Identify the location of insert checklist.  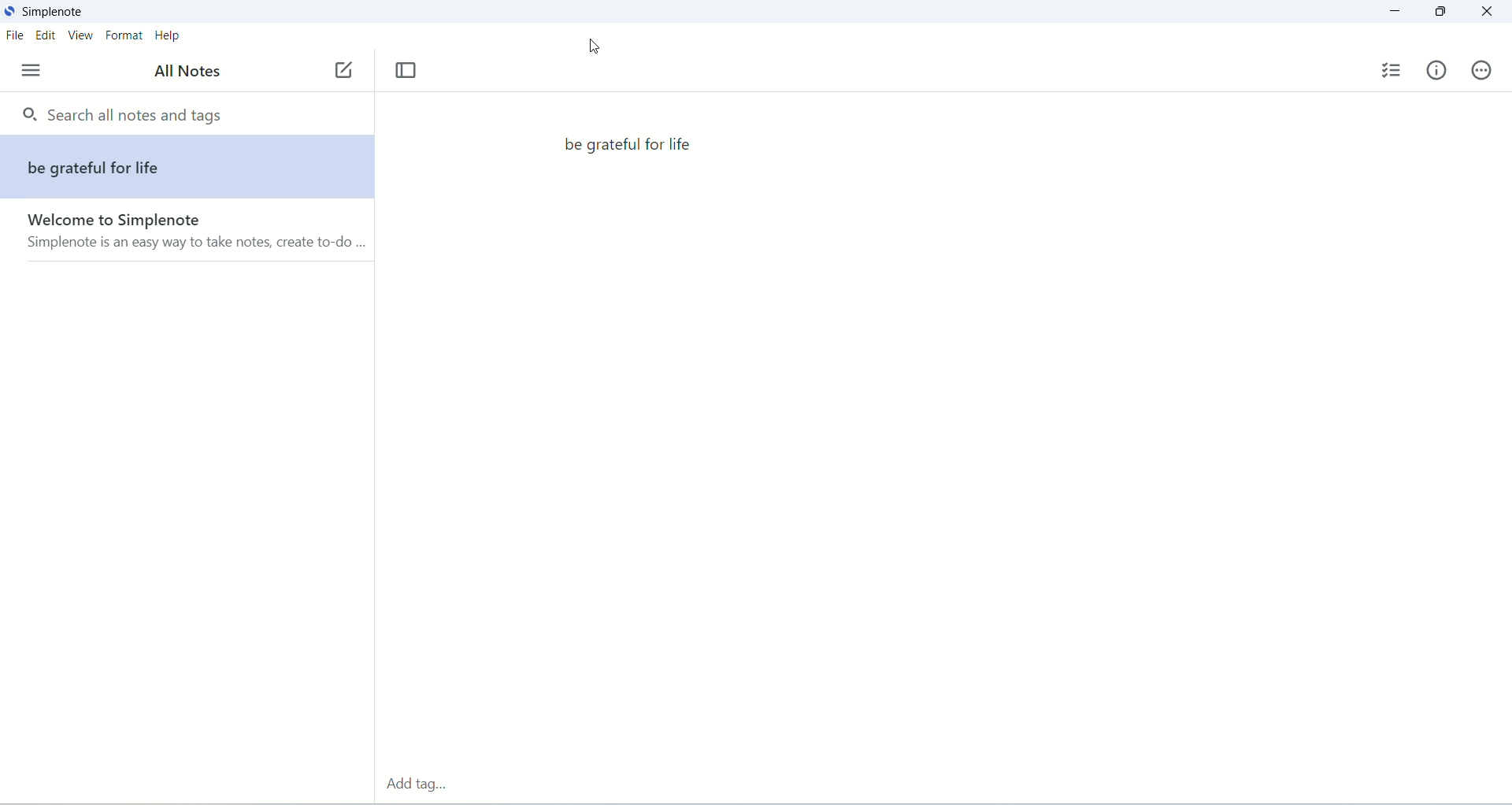
(1388, 72).